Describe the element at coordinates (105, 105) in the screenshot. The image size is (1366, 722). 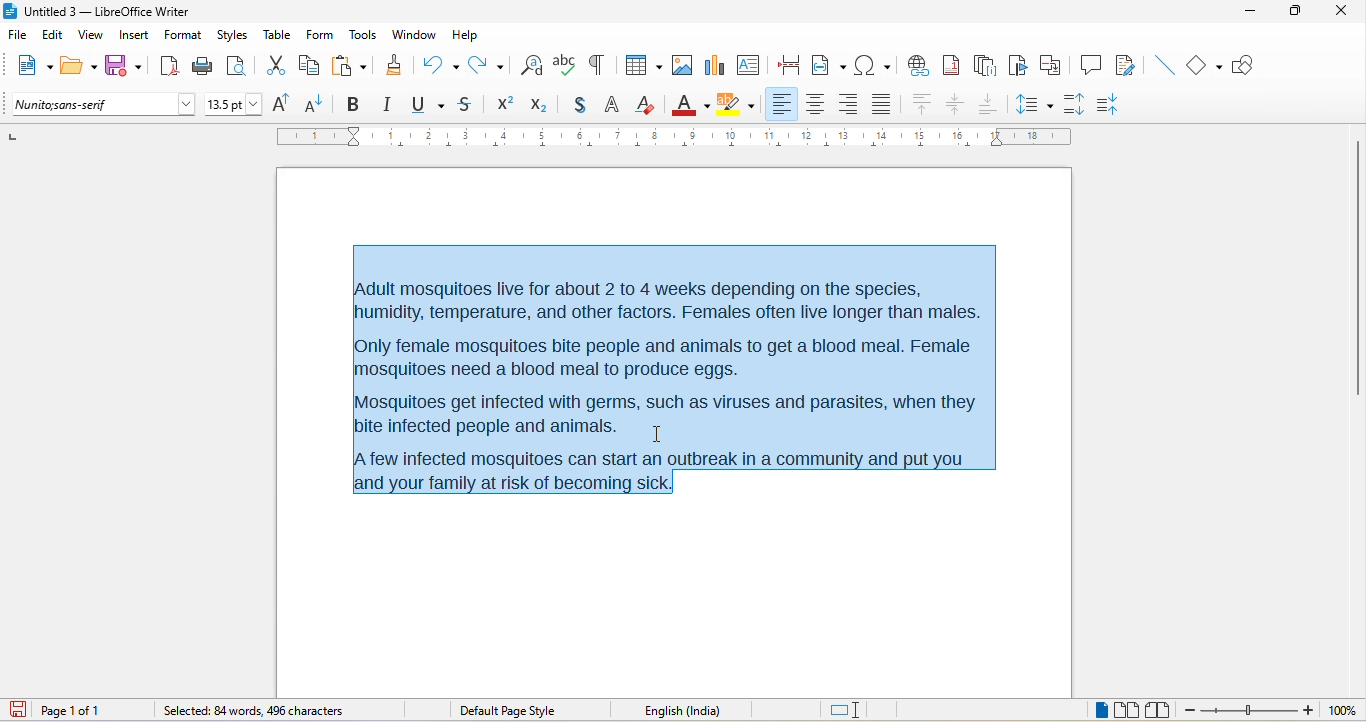
I see `font name` at that location.